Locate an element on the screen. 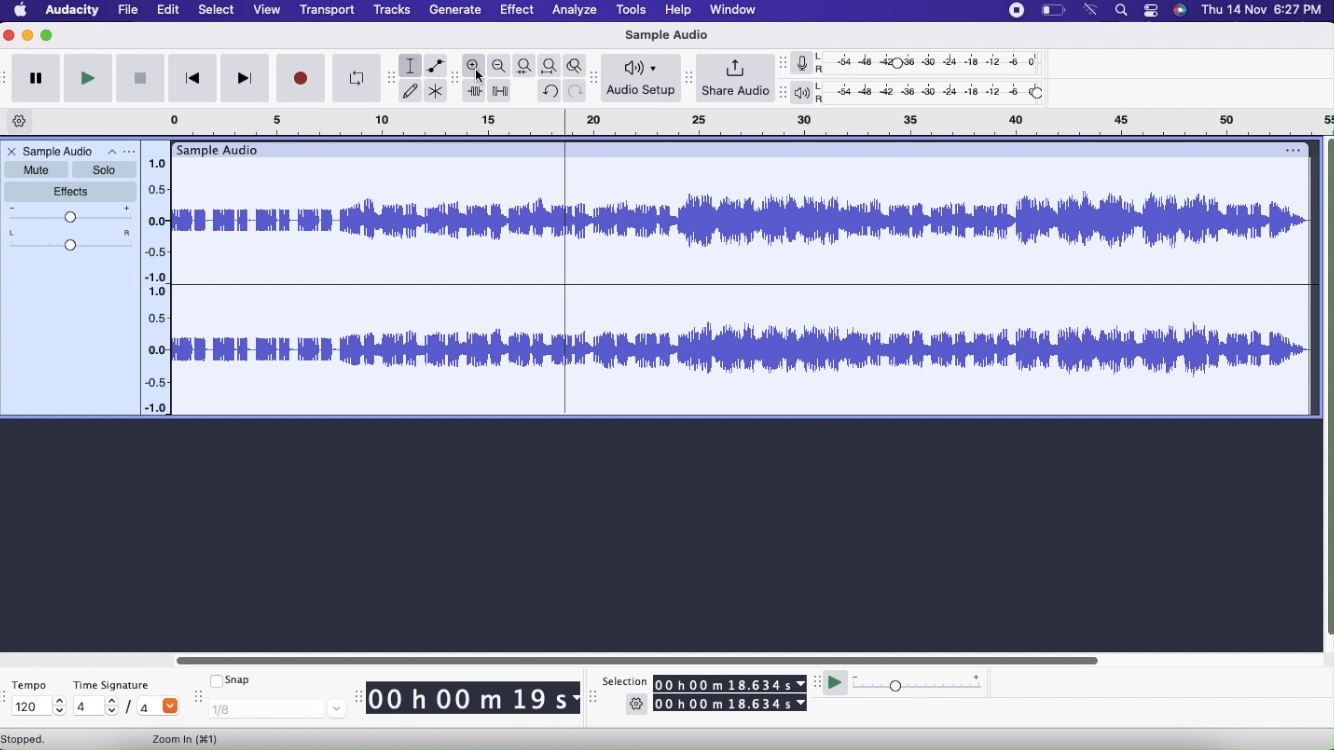  Mute is located at coordinates (35, 170).